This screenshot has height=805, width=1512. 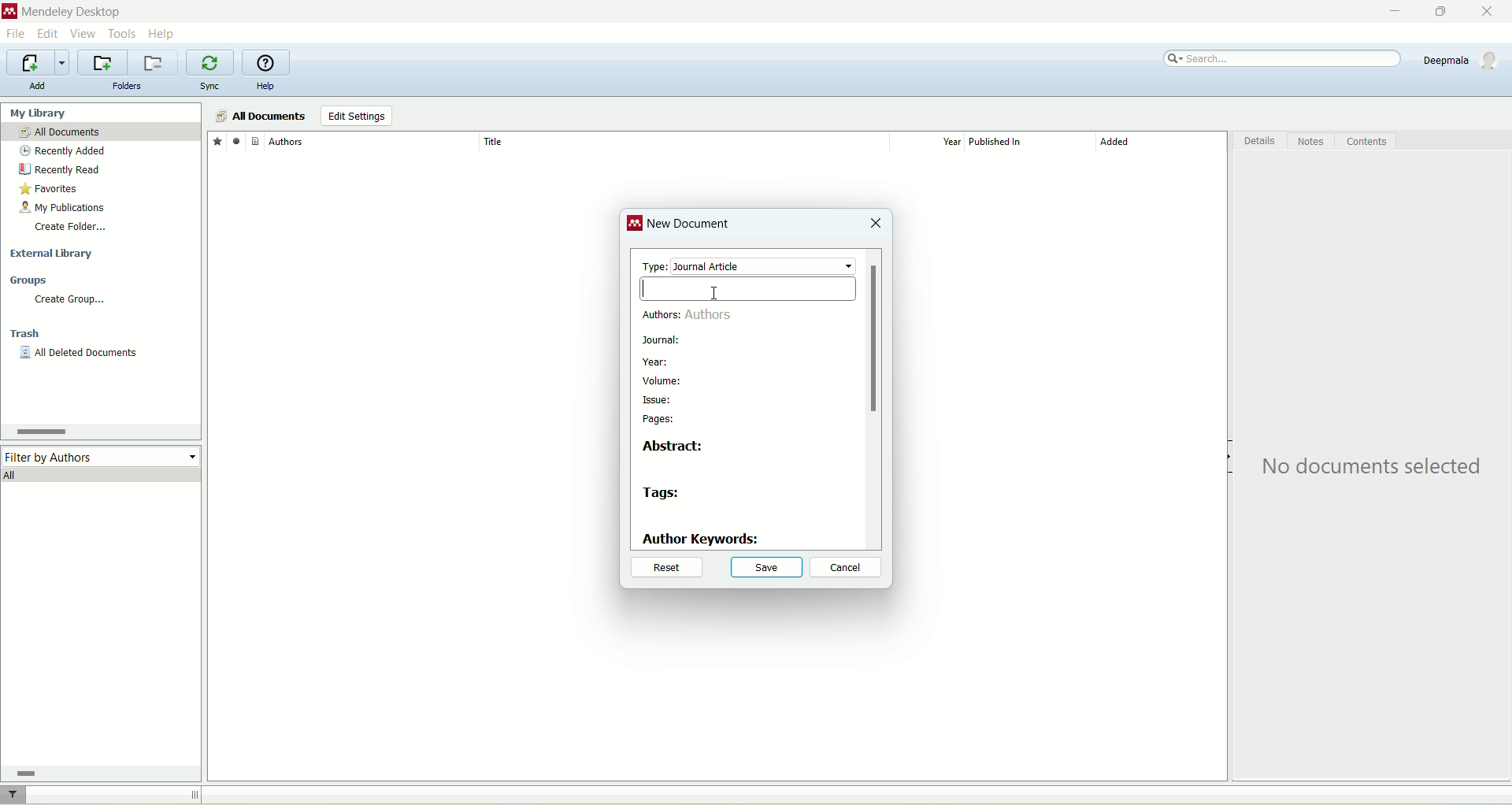 What do you see at coordinates (665, 569) in the screenshot?
I see `reset` at bounding box center [665, 569].